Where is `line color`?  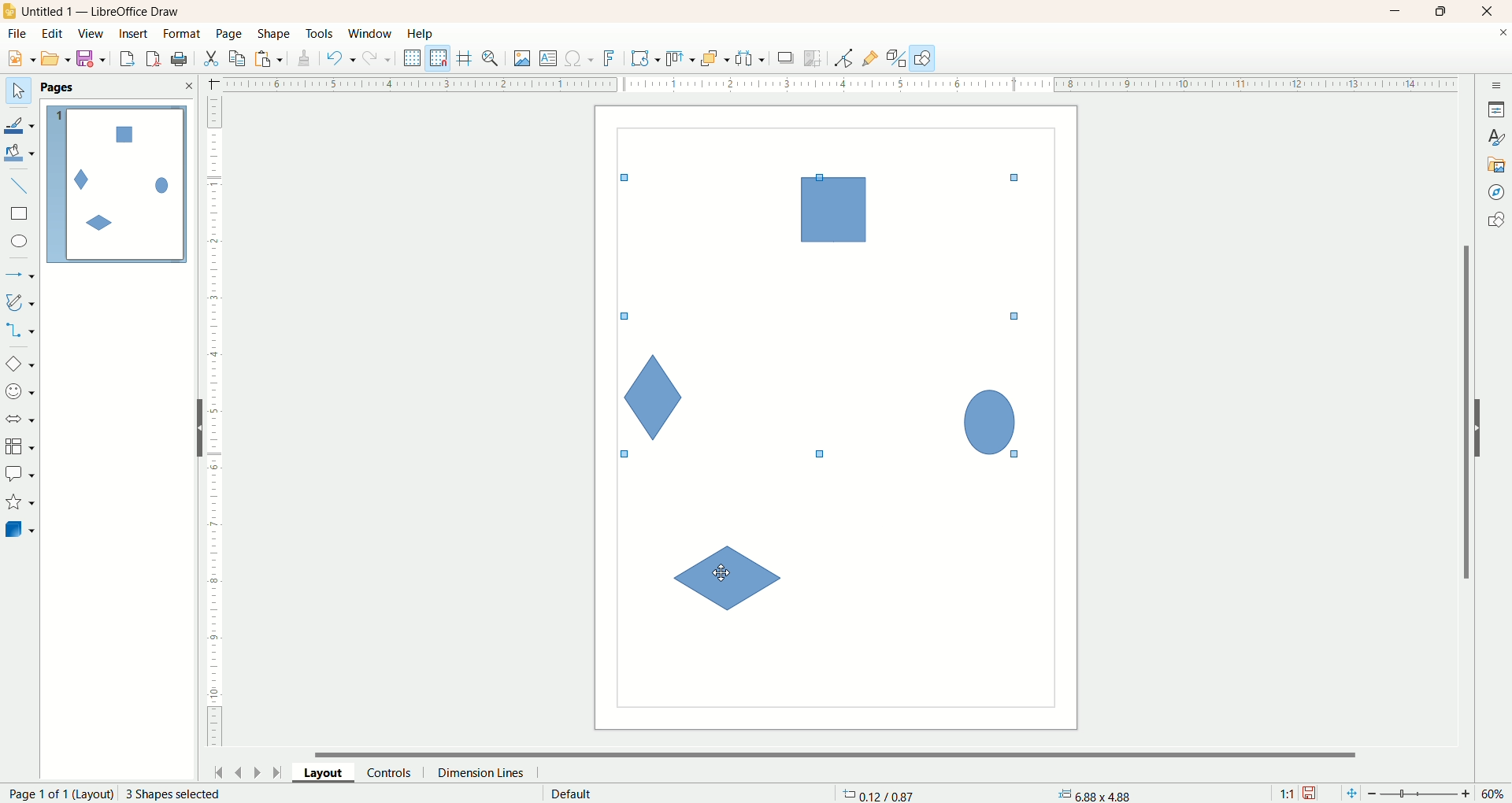
line color is located at coordinates (20, 124).